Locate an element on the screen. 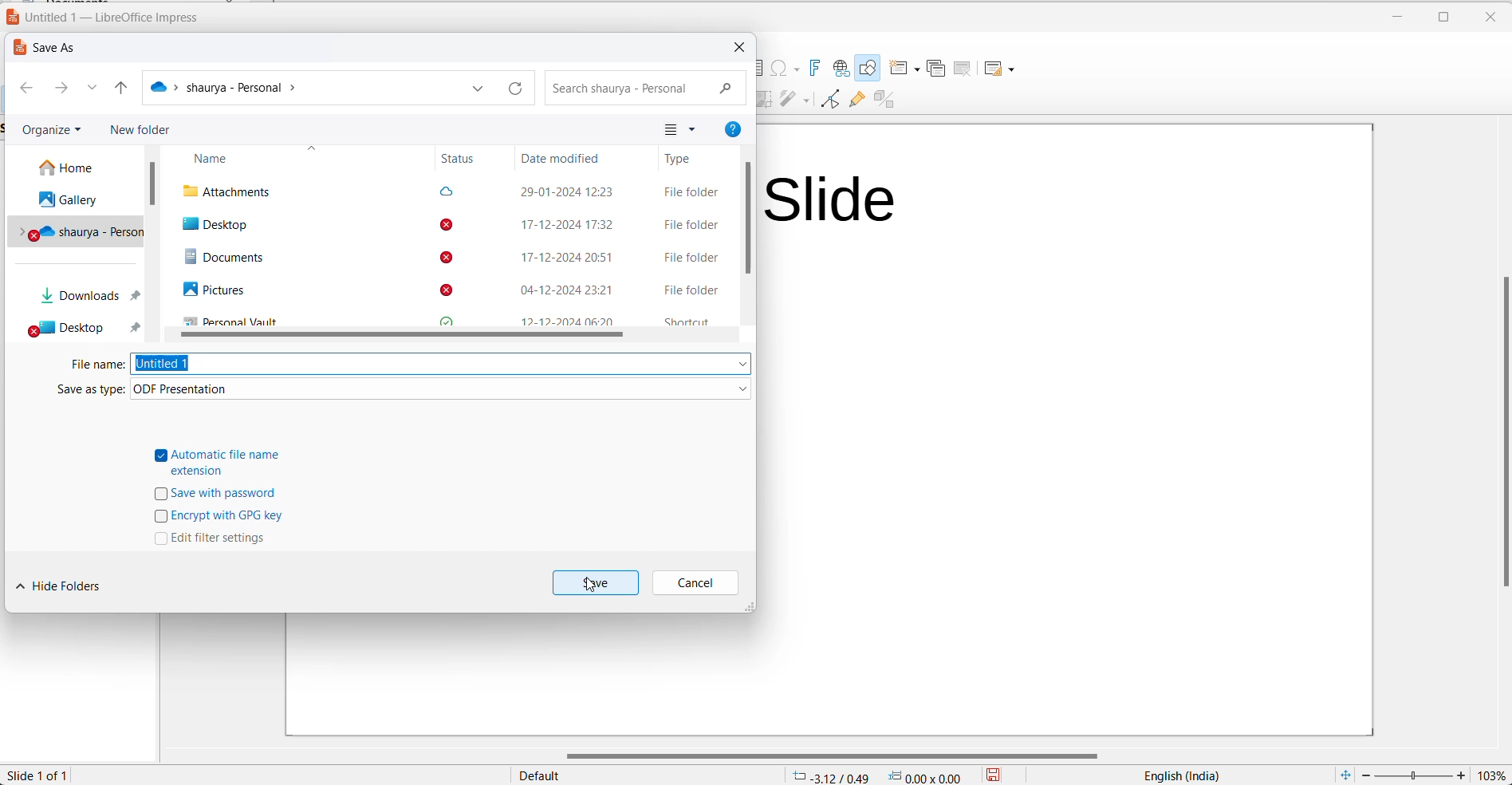 The width and height of the screenshot is (1512, 785). slide number is located at coordinates (45, 775).